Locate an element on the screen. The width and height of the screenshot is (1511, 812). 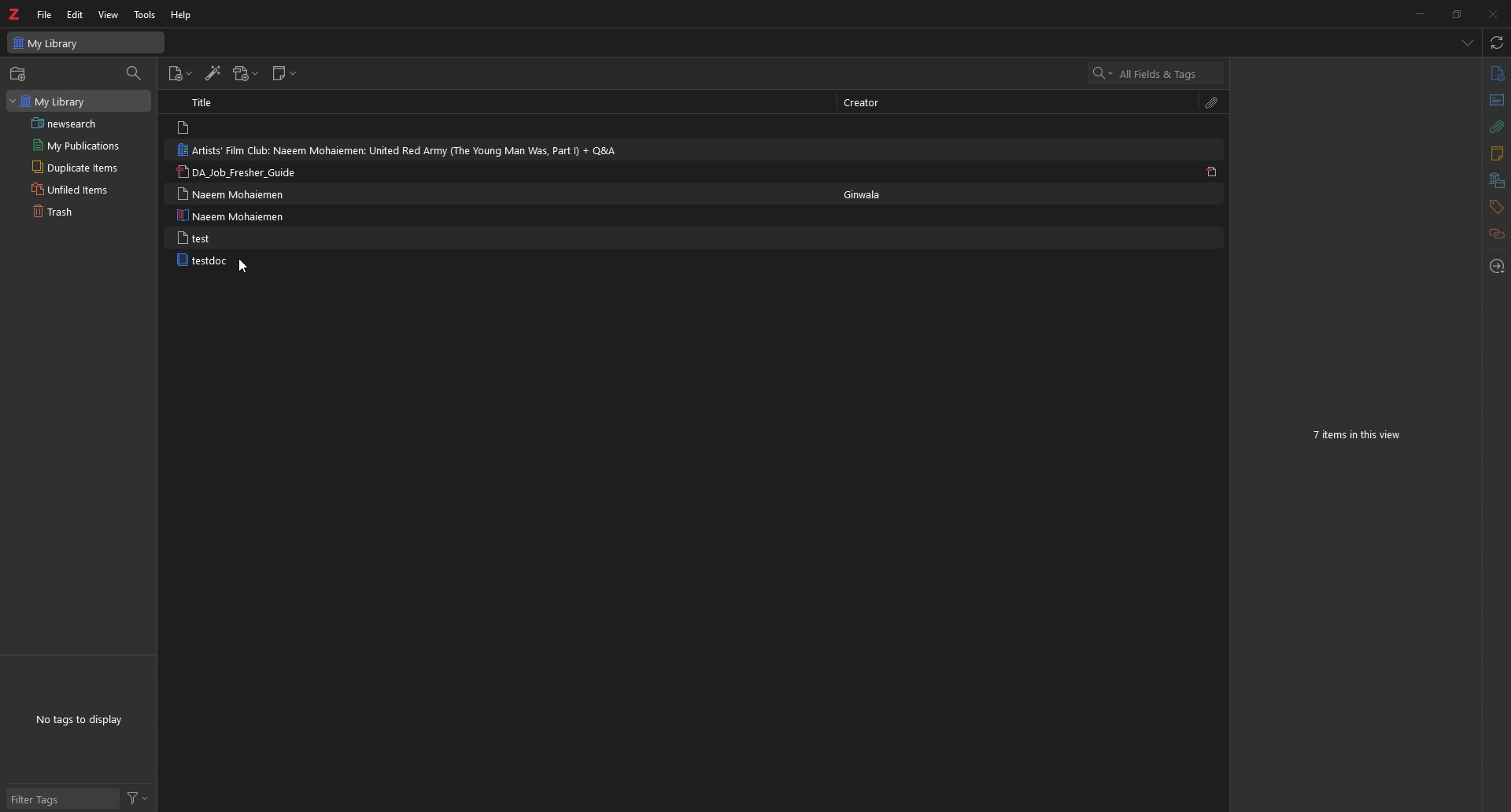
creator is located at coordinates (867, 103).